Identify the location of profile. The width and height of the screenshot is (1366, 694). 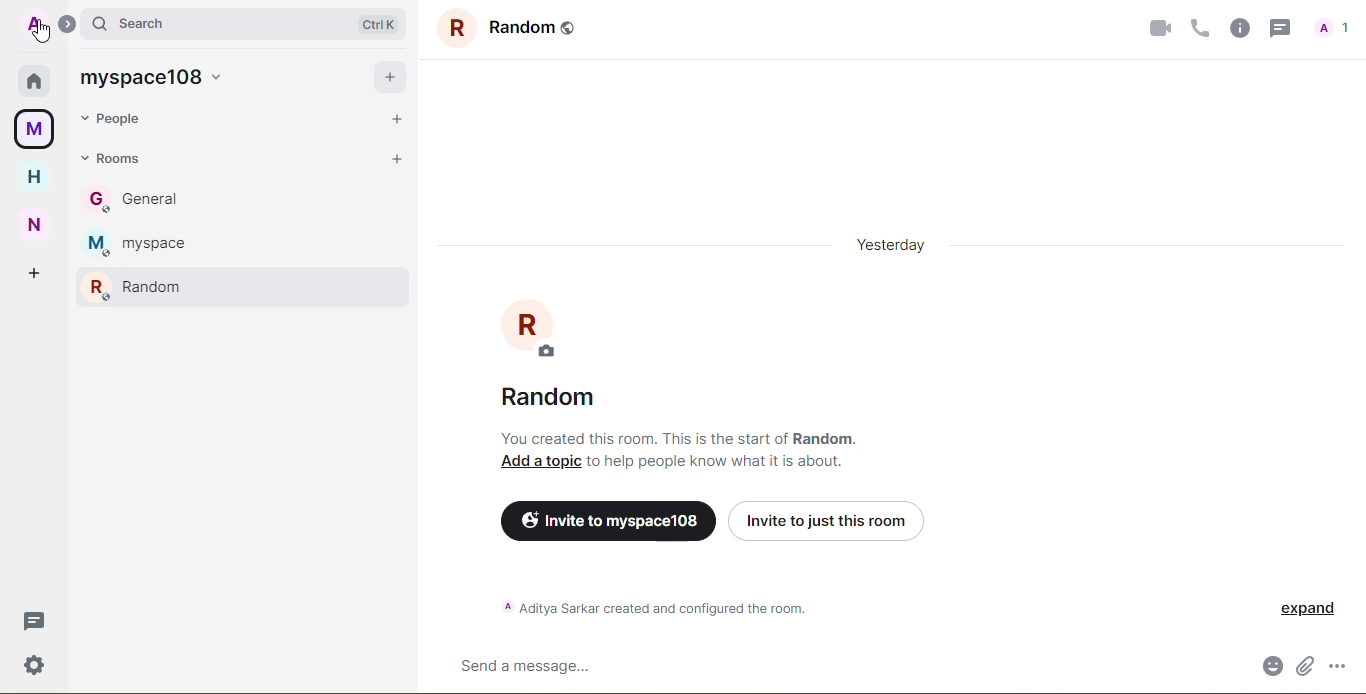
(533, 328).